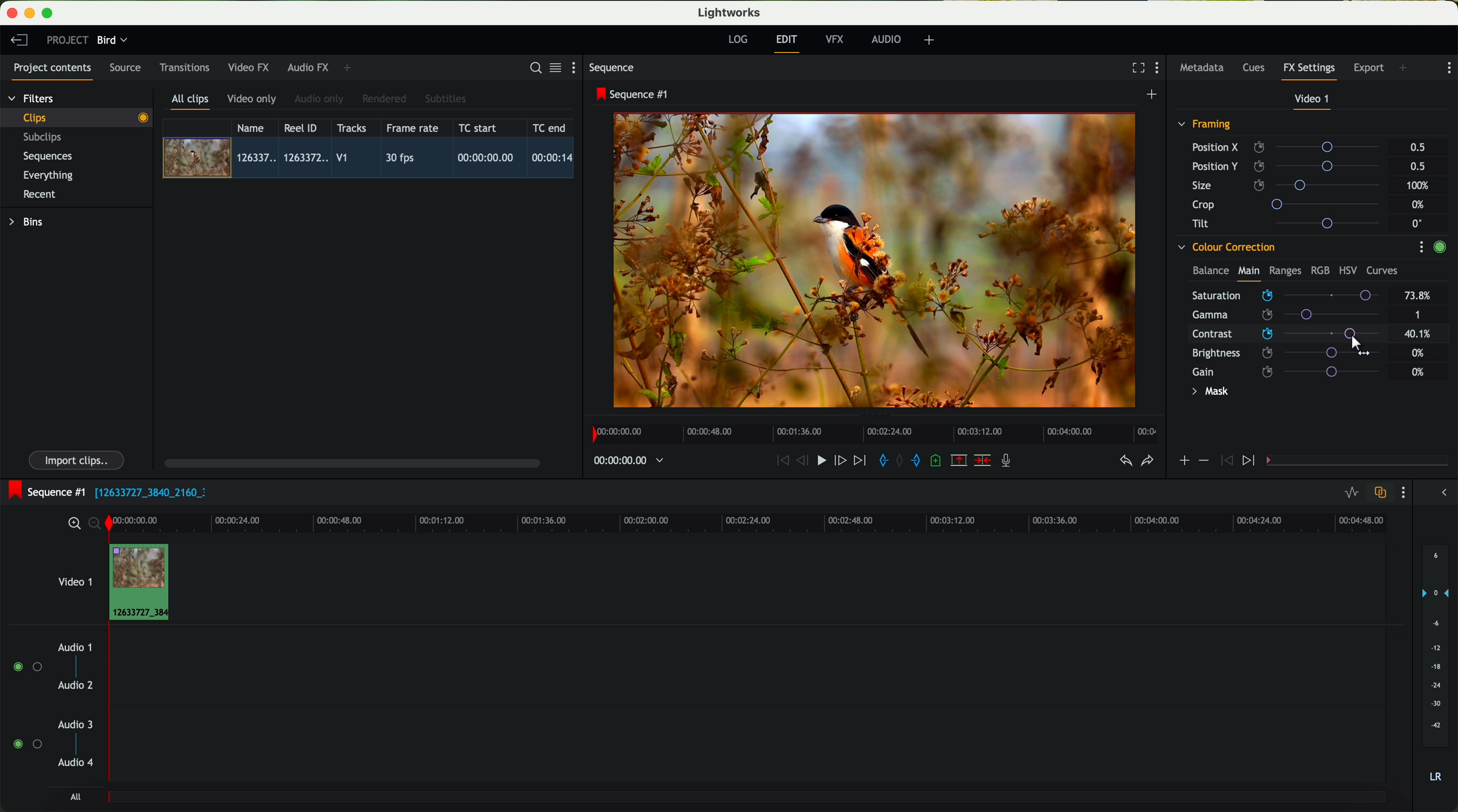  I want to click on leave, so click(19, 41).